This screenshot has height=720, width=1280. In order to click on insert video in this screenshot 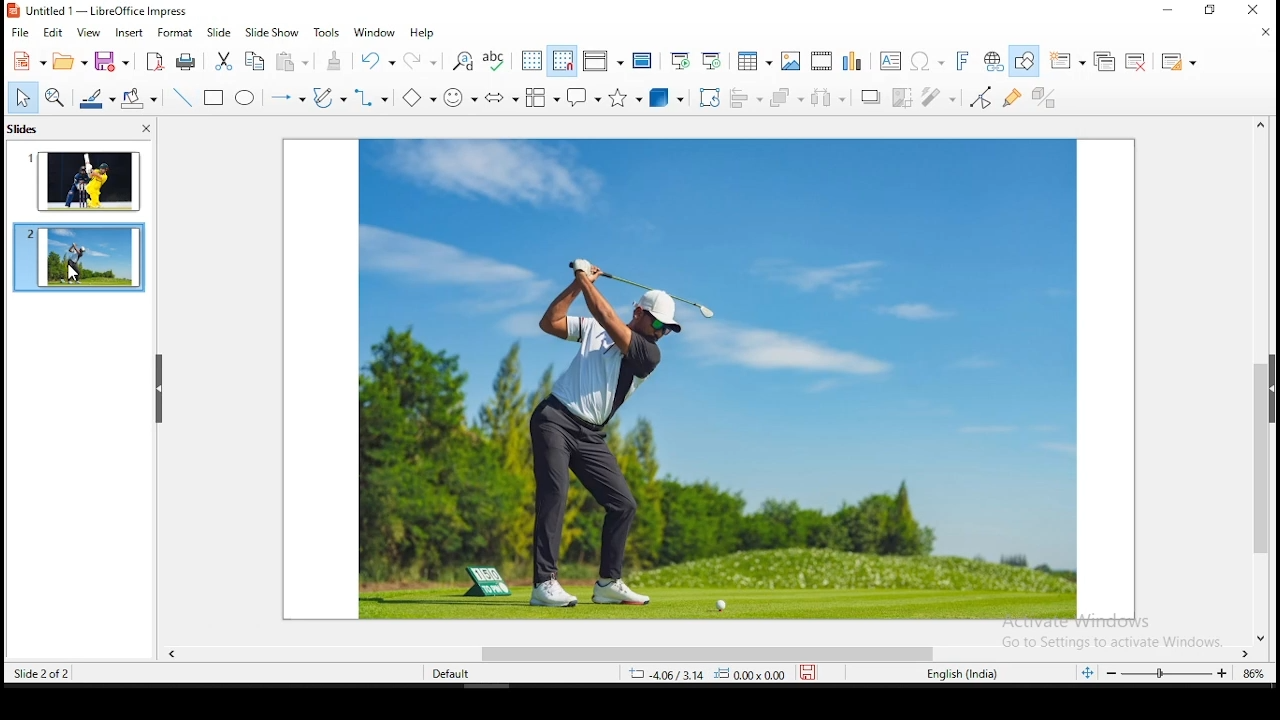, I will do `click(820, 59)`.